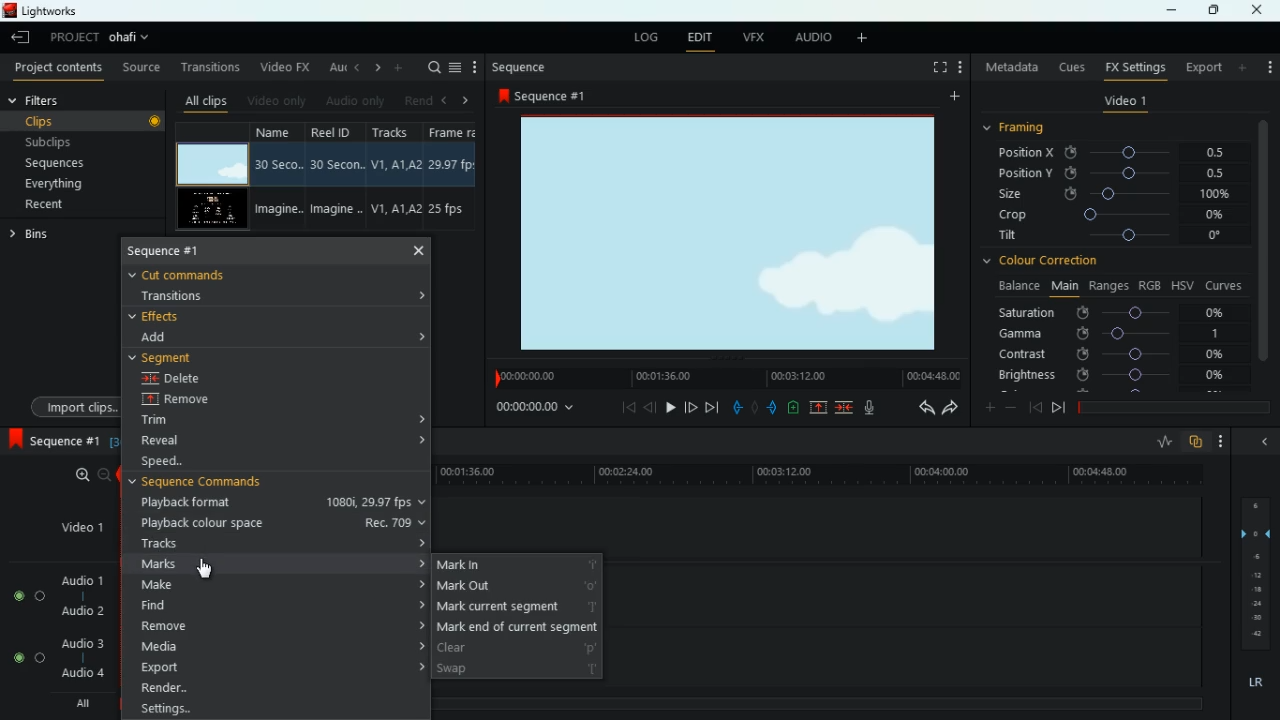 The height and width of the screenshot is (720, 1280). Describe the element at coordinates (24, 658) in the screenshot. I see `Audio` at that location.